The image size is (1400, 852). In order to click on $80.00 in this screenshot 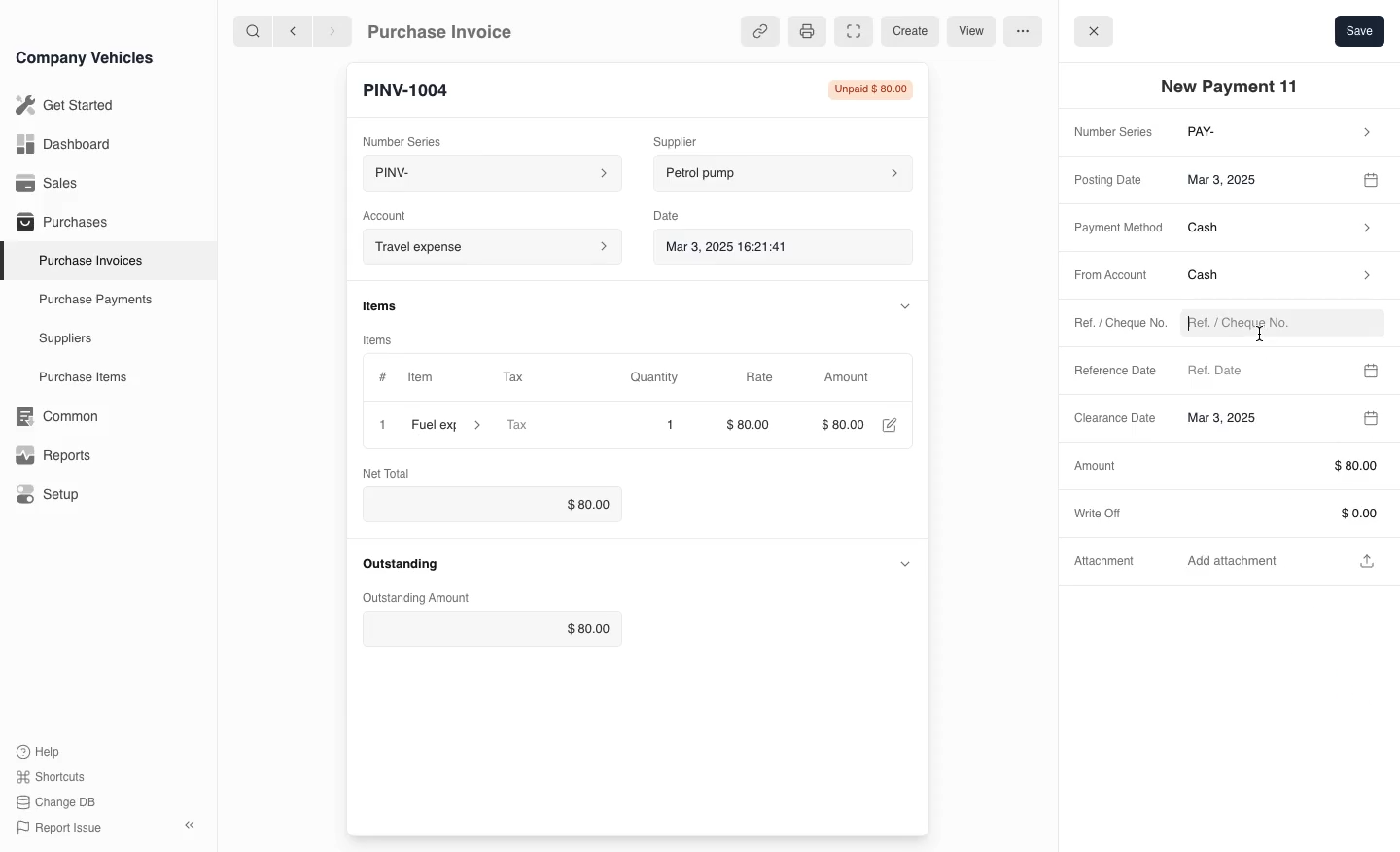, I will do `click(495, 629)`.